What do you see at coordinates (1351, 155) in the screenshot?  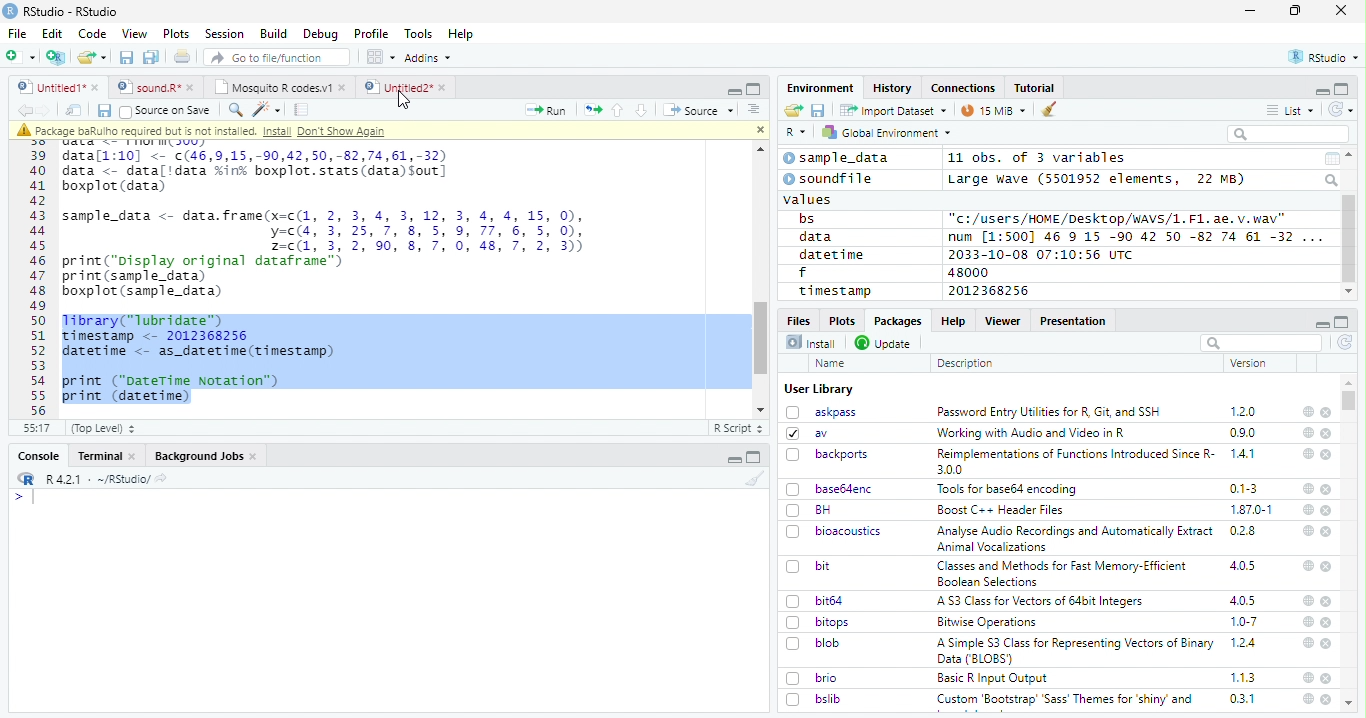 I see `scroll up` at bounding box center [1351, 155].